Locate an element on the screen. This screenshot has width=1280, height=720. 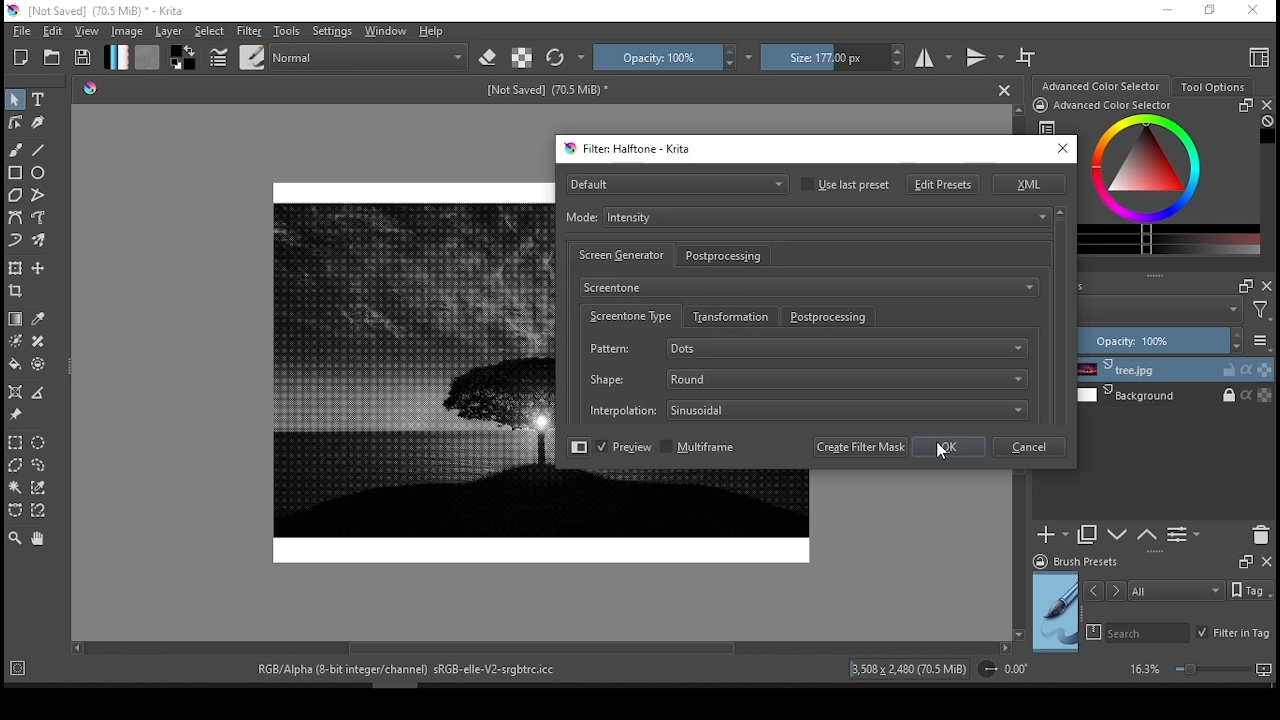
view/change layer properties is located at coordinates (1188, 535).